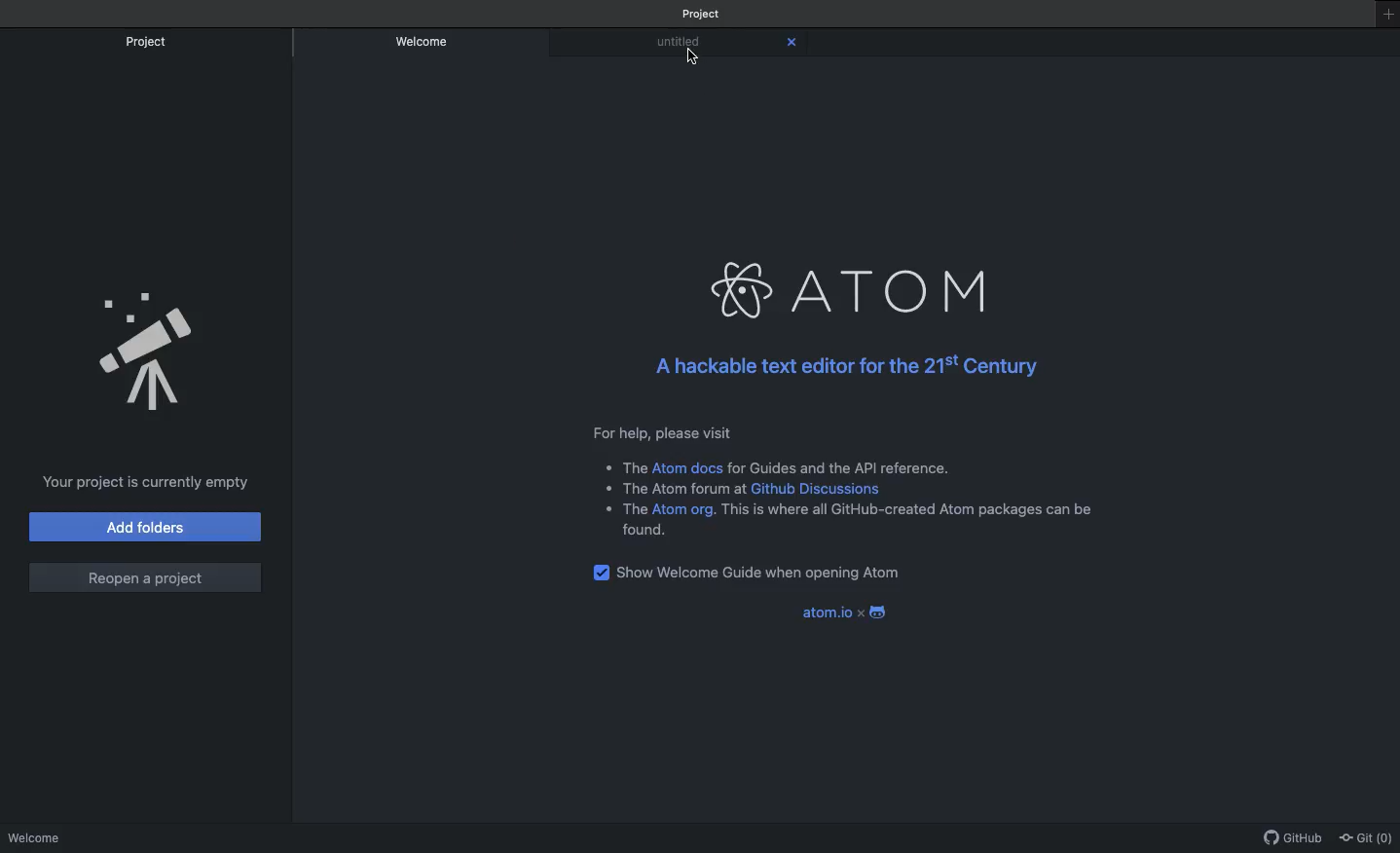 This screenshot has height=853, width=1400. What do you see at coordinates (841, 612) in the screenshot?
I see `Atom.ioxanroid` at bounding box center [841, 612].